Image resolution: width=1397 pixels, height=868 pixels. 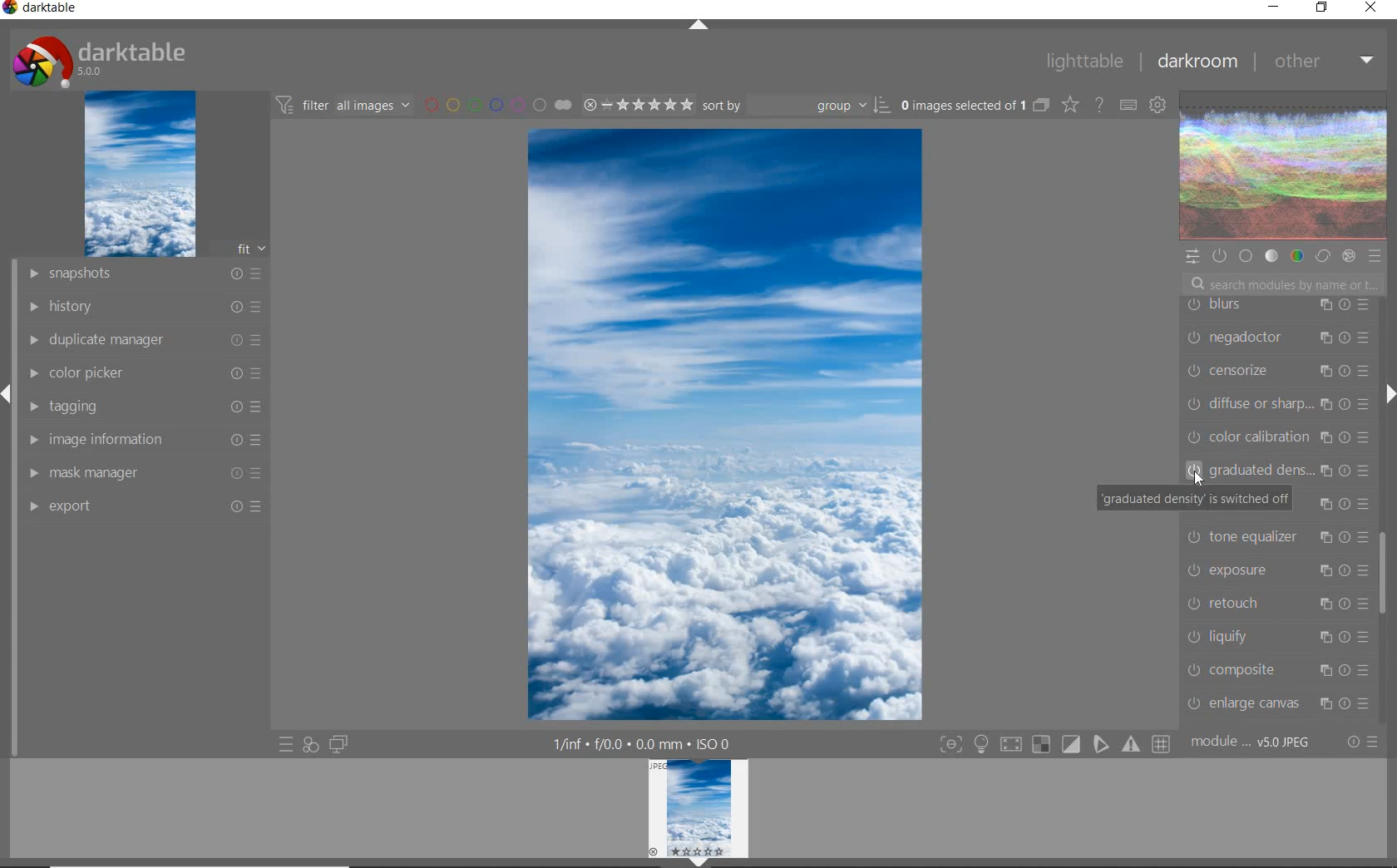 What do you see at coordinates (699, 862) in the screenshot?
I see `Down` at bounding box center [699, 862].